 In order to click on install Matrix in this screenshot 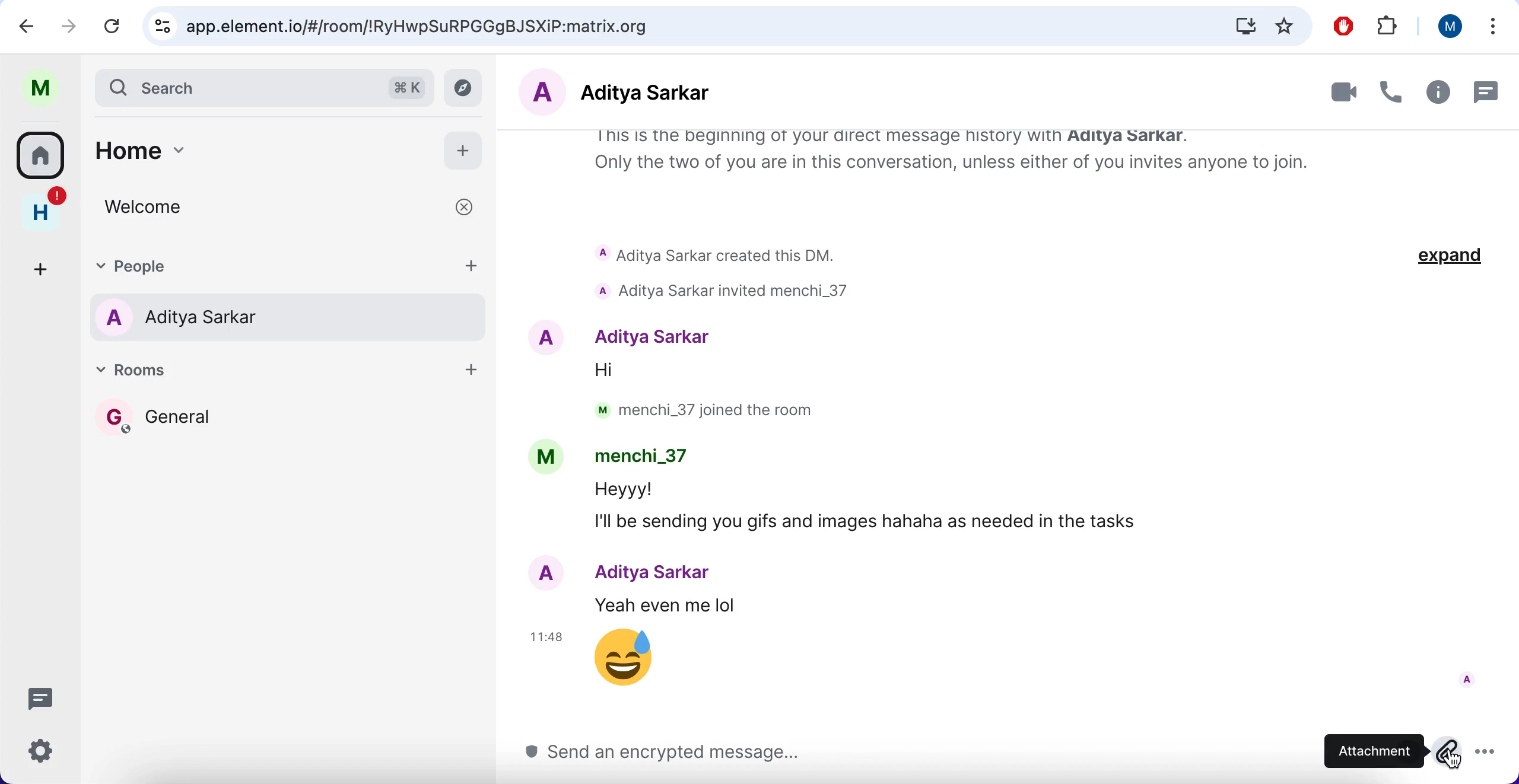, I will do `click(1247, 23)`.